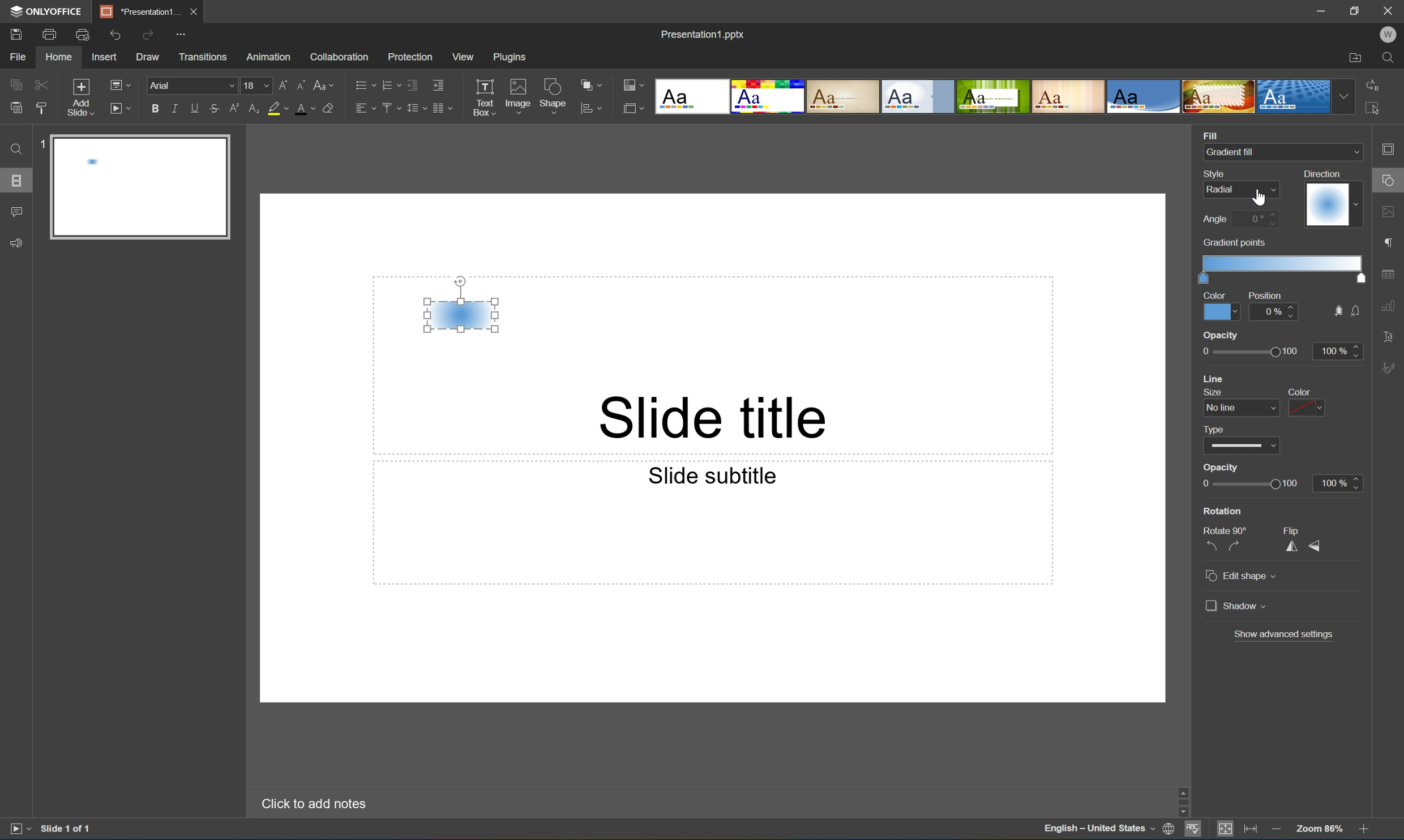 Image resolution: width=1404 pixels, height=840 pixels. Describe the element at coordinates (1243, 577) in the screenshot. I see `Edit shape` at that location.